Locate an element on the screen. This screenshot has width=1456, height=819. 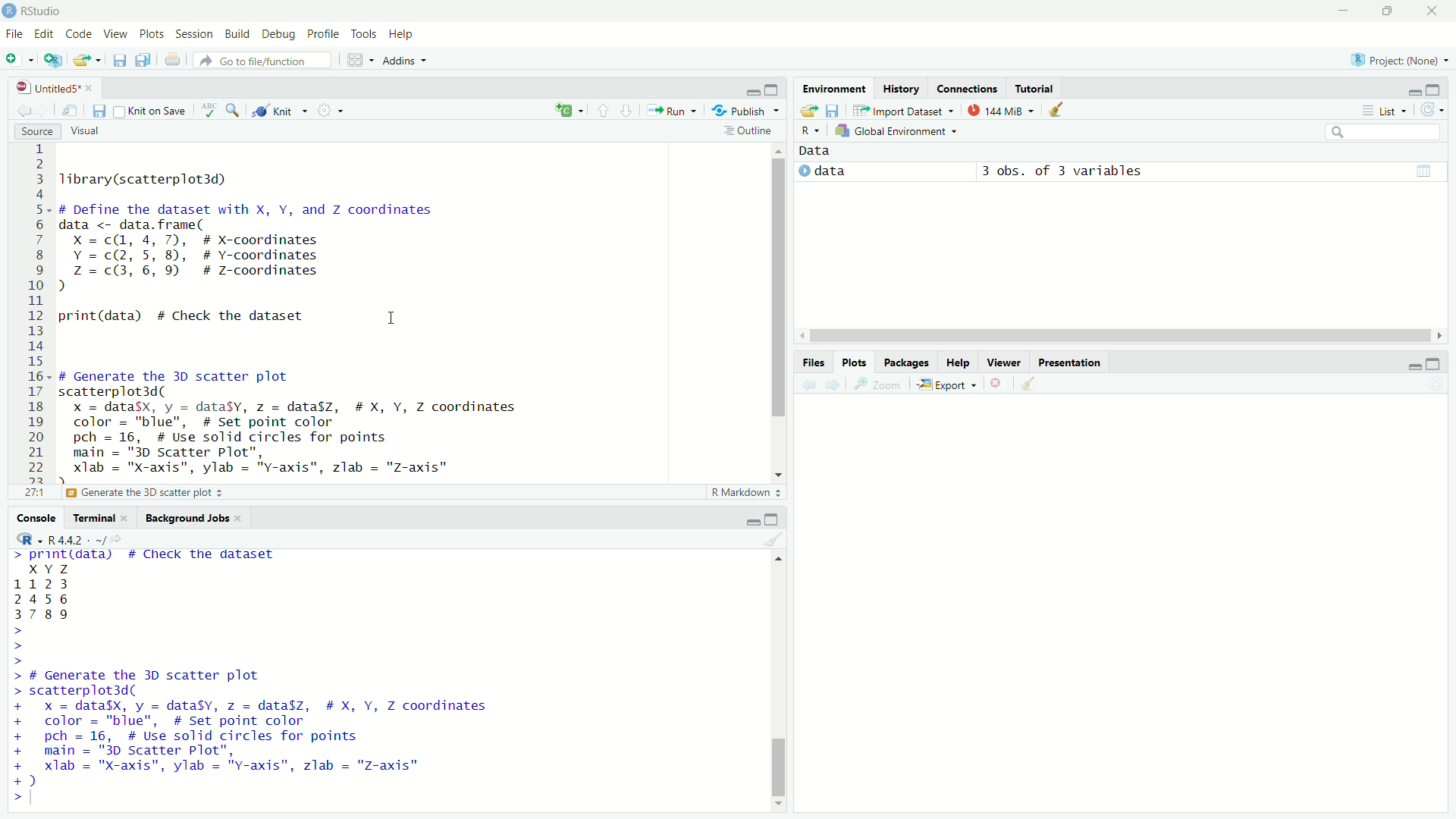
empty plot area is located at coordinates (1144, 606).